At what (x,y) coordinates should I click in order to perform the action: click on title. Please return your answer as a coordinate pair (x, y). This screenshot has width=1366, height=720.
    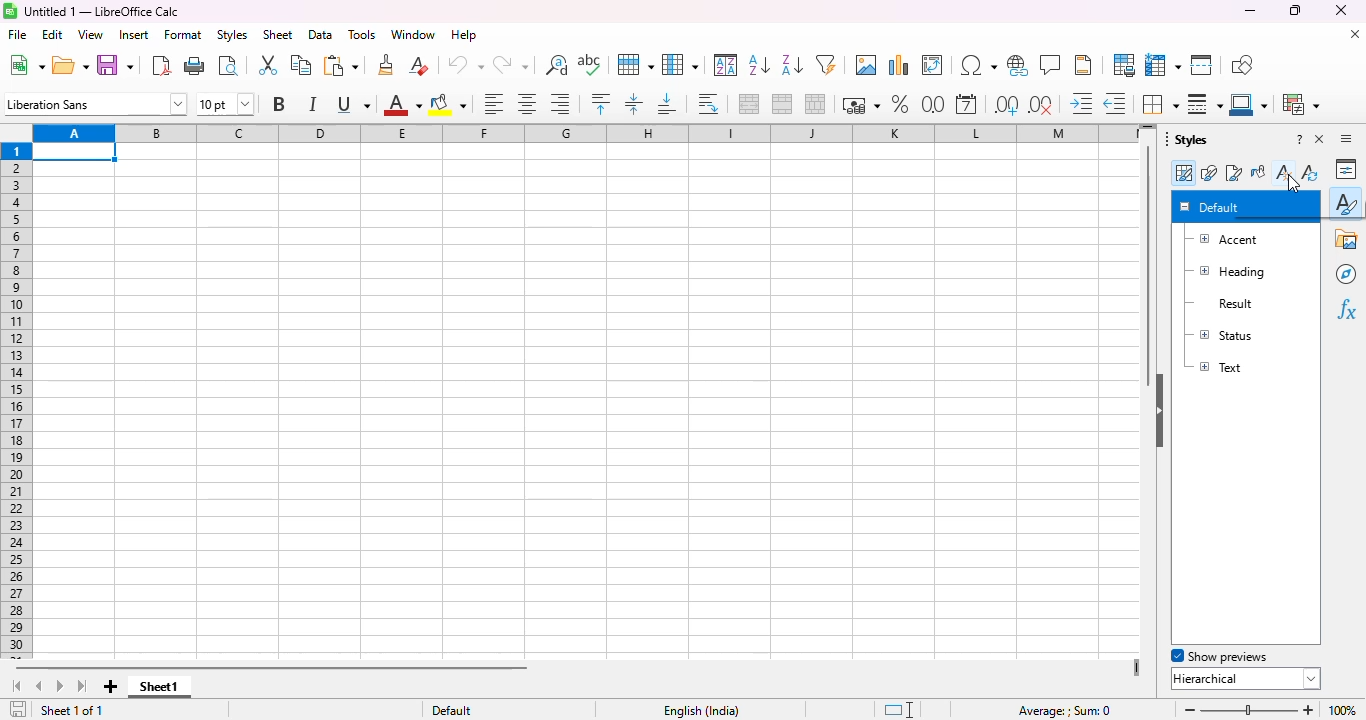
    Looking at the image, I should click on (102, 11).